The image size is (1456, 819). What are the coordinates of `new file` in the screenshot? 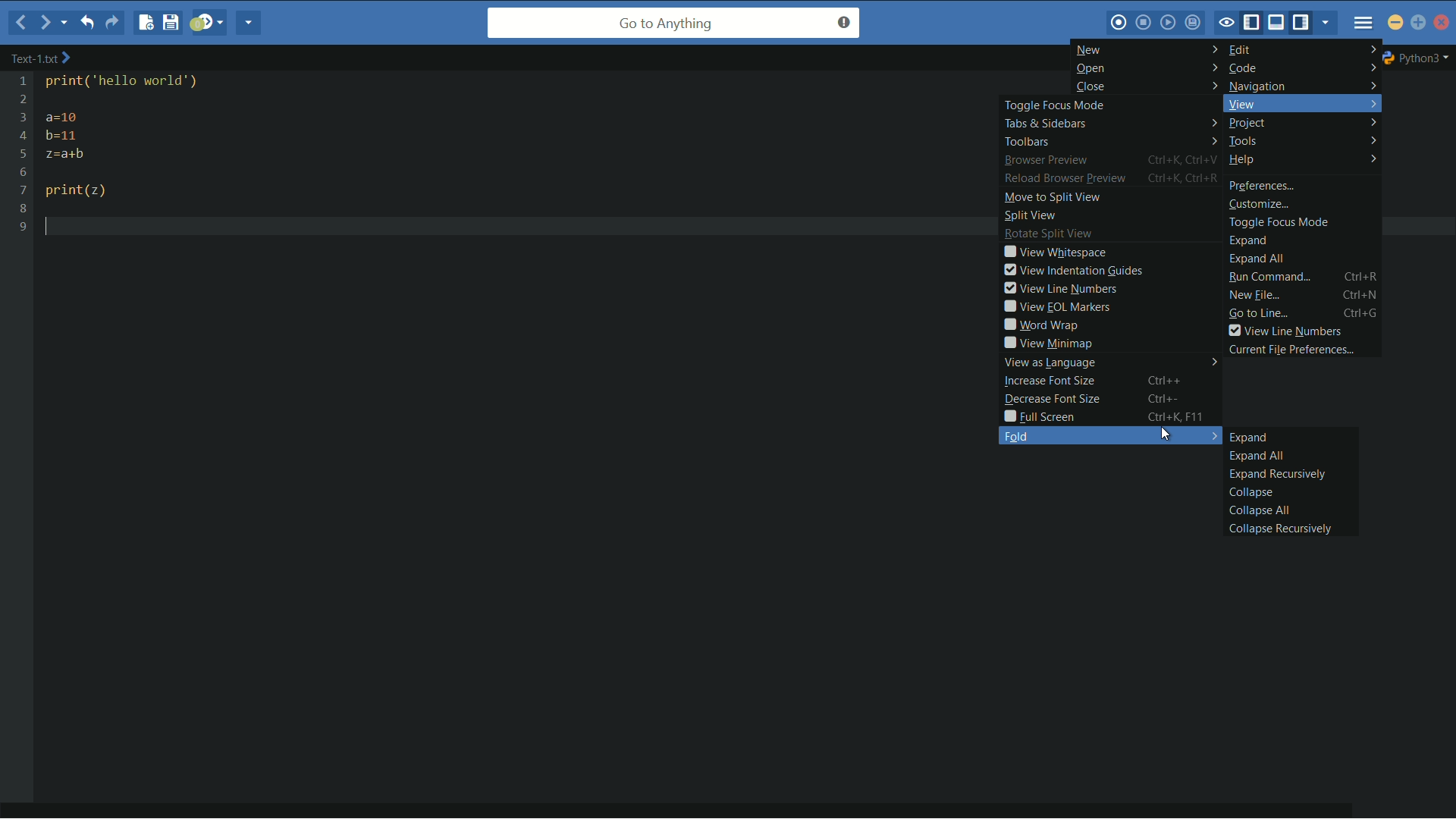 It's located at (1254, 296).